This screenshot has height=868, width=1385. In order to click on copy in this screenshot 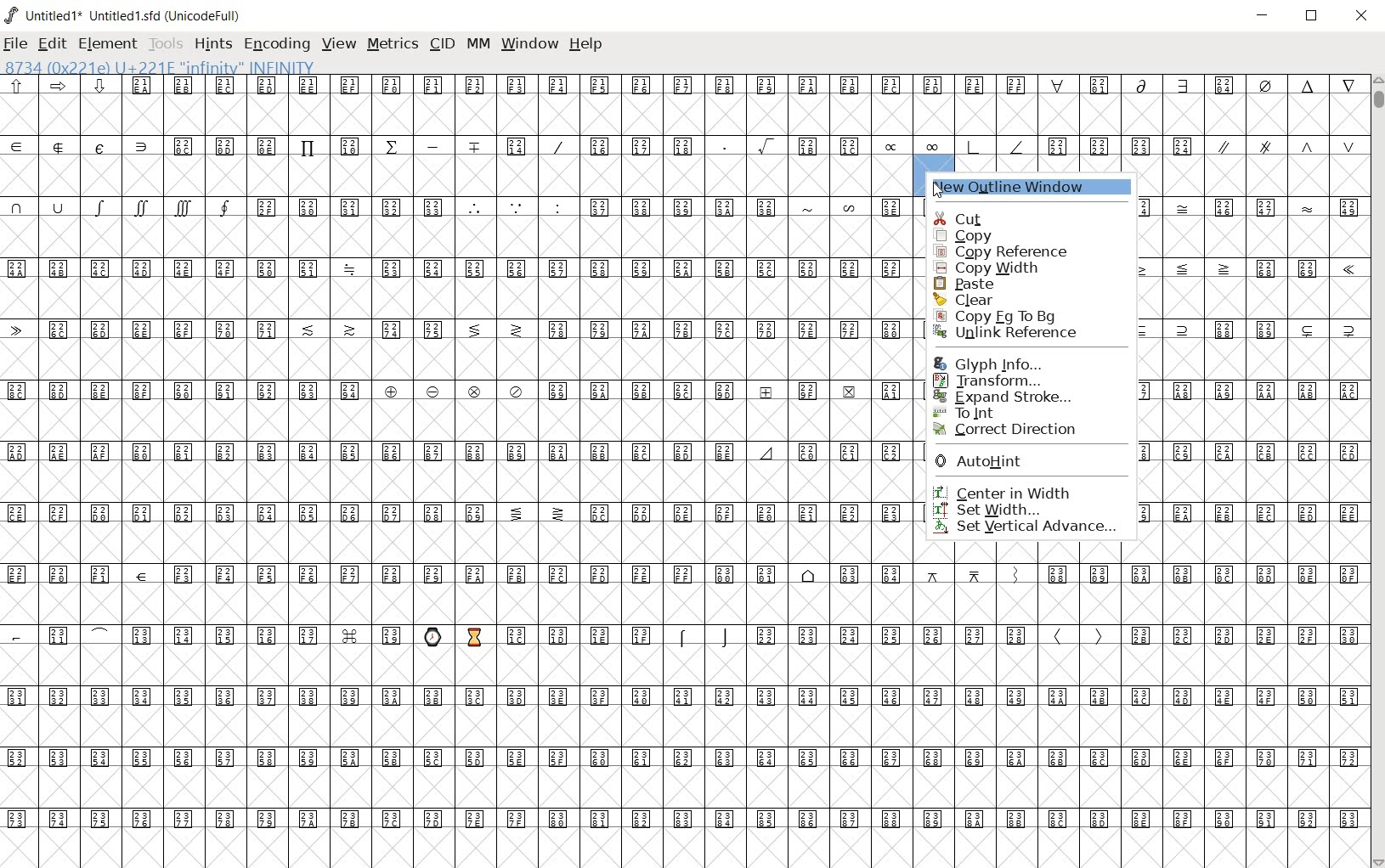, I will do `click(972, 235)`.